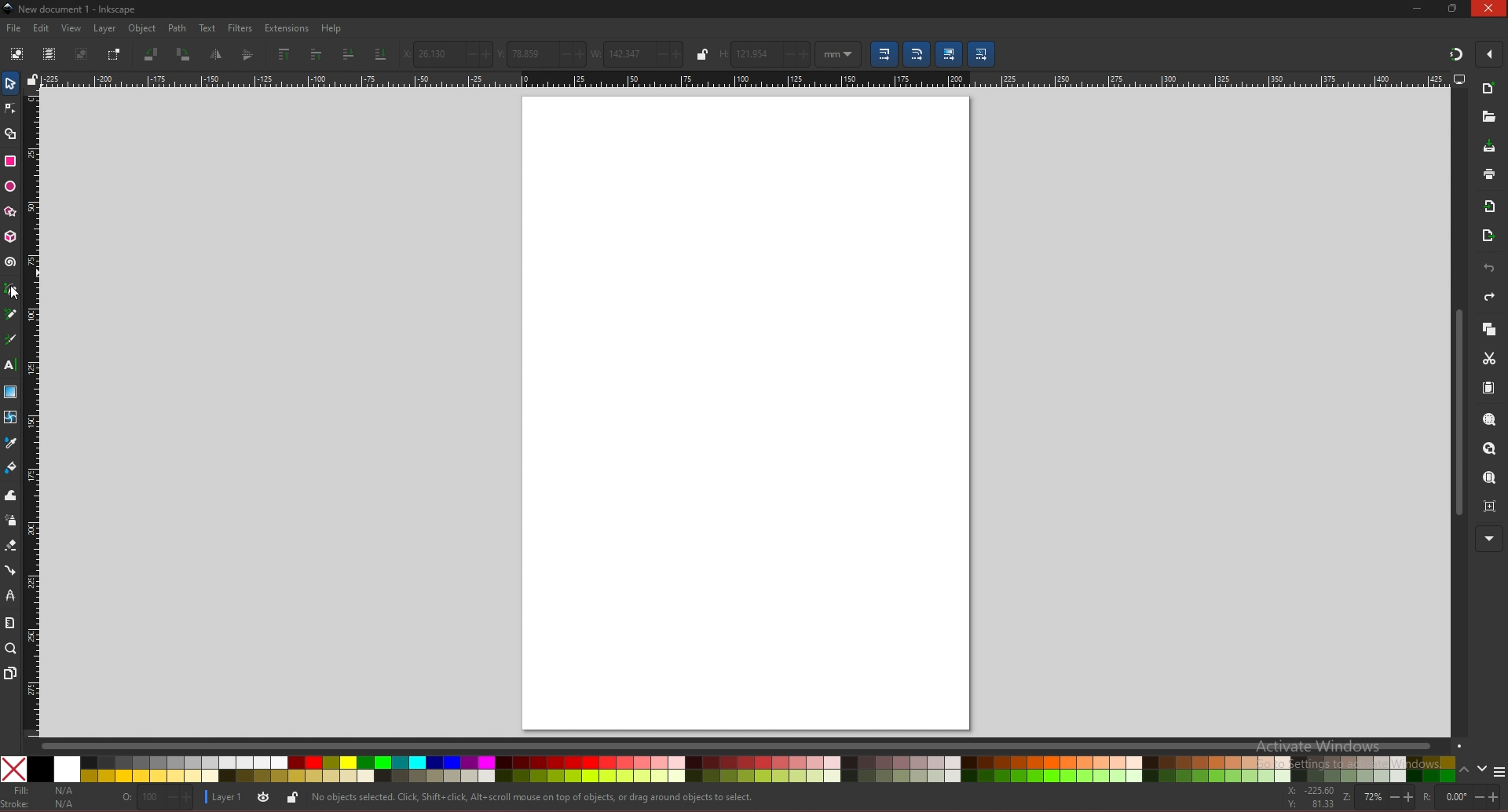 The width and height of the screenshot is (1508, 812). I want to click on layer, so click(104, 28).